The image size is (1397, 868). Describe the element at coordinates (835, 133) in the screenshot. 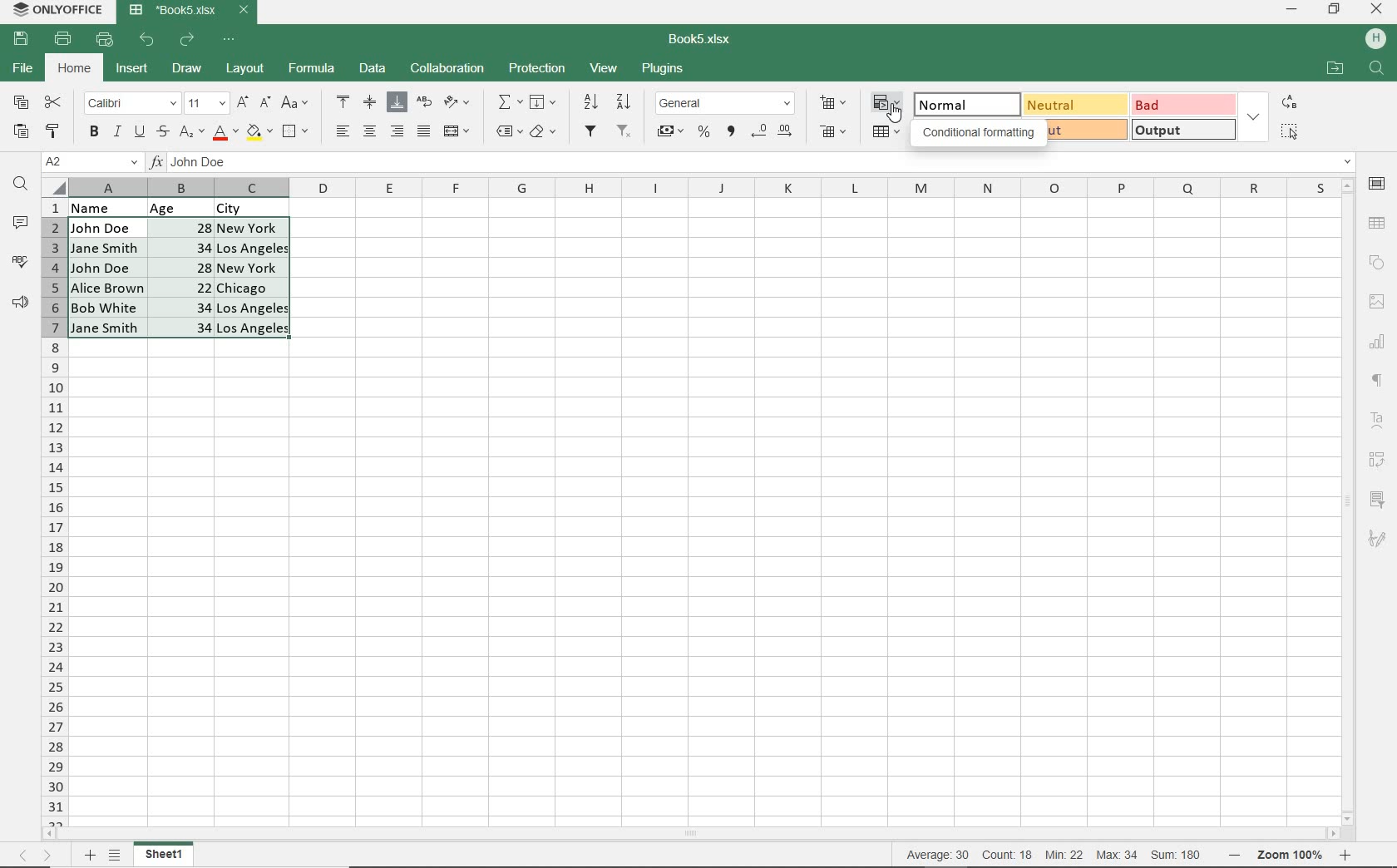

I see `DELETE CELLS` at that location.